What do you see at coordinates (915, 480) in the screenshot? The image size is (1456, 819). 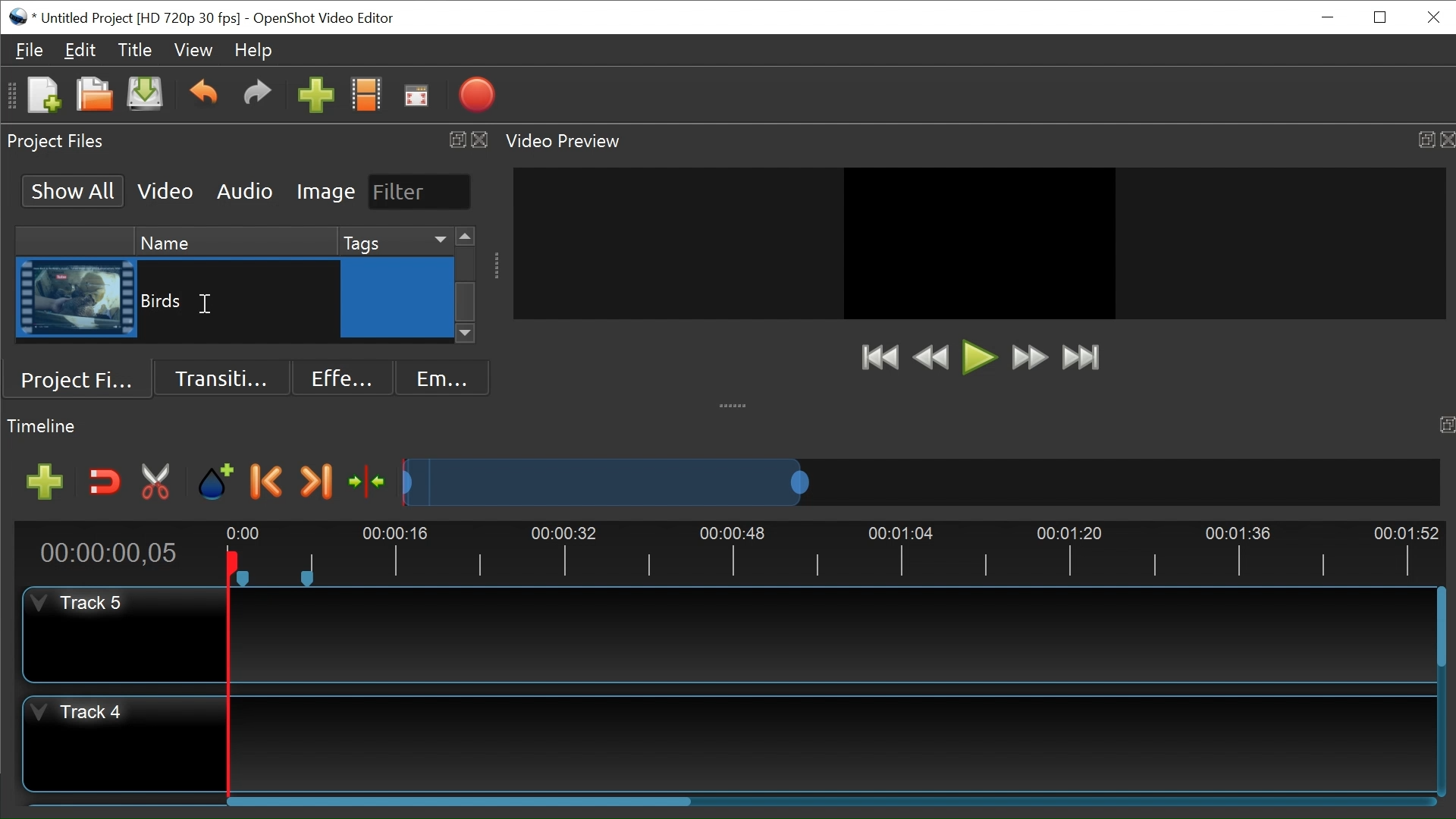 I see `Zoom Slider` at bounding box center [915, 480].